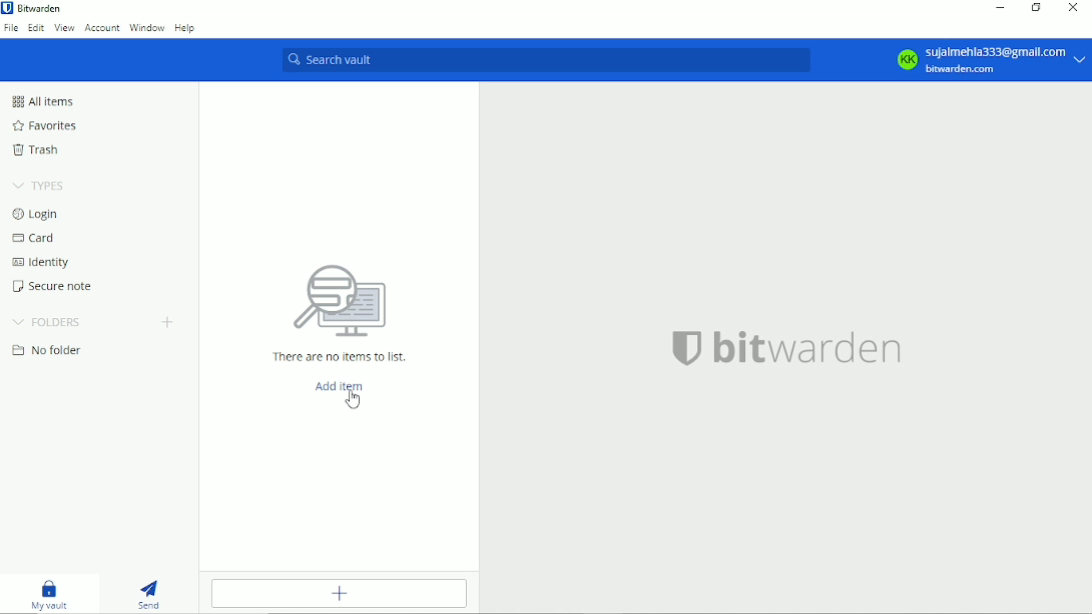 The width and height of the screenshot is (1092, 614). What do you see at coordinates (1074, 7) in the screenshot?
I see `Close` at bounding box center [1074, 7].